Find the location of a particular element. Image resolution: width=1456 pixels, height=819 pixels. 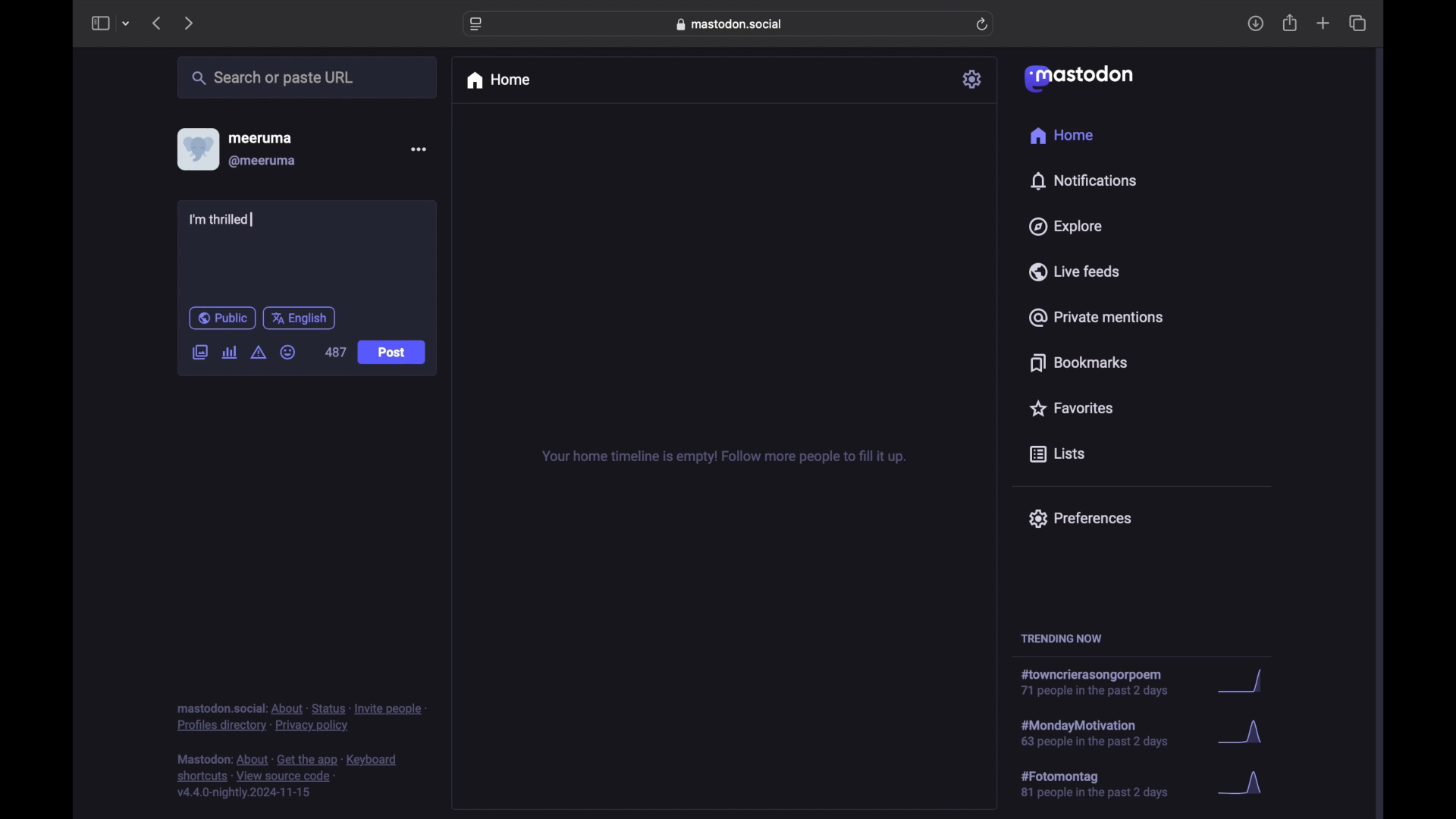

favorites is located at coordinates (1071, 408).